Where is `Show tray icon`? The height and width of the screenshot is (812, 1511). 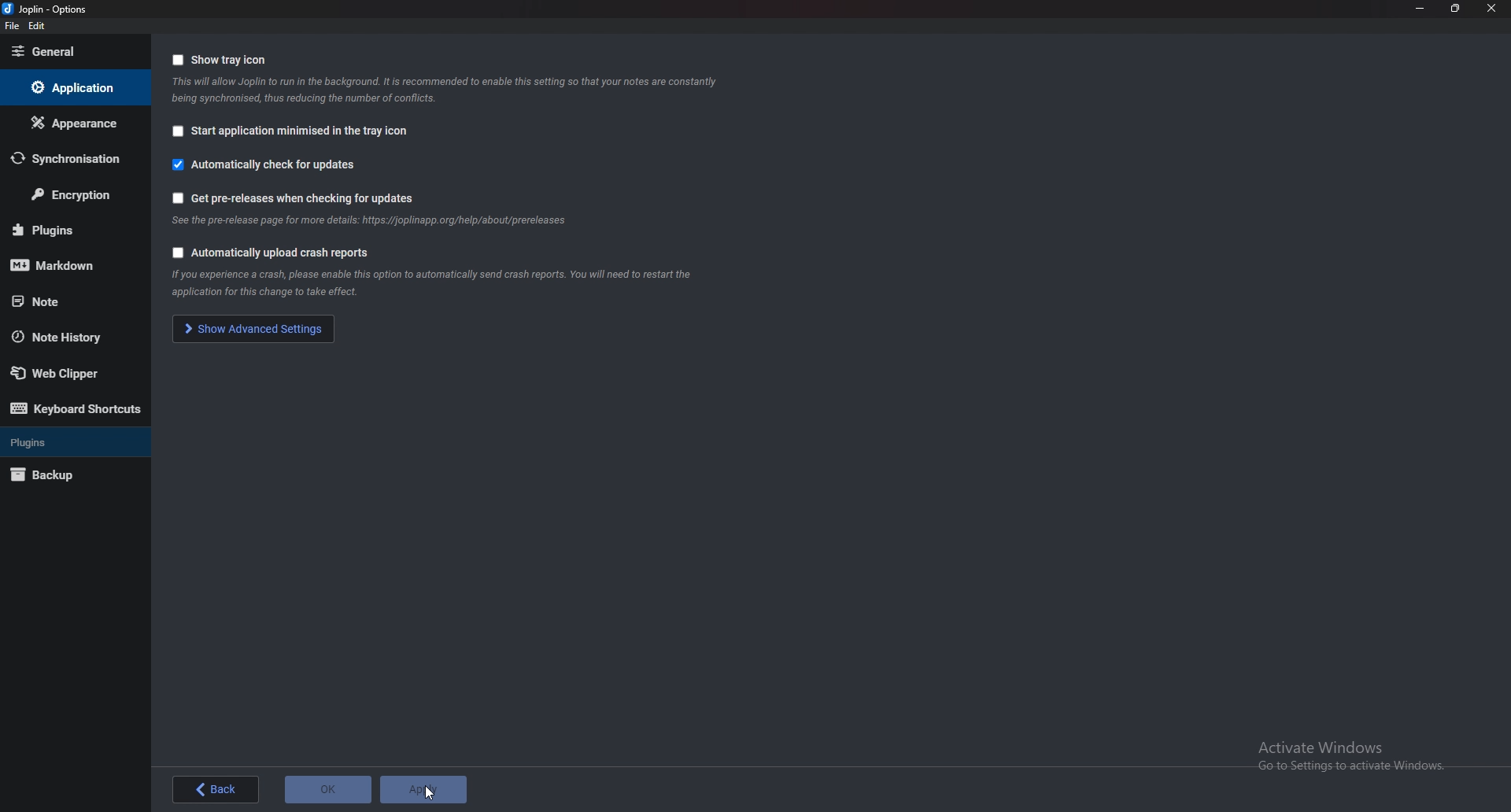
Show tray icon is located at coordinates (230, 60).